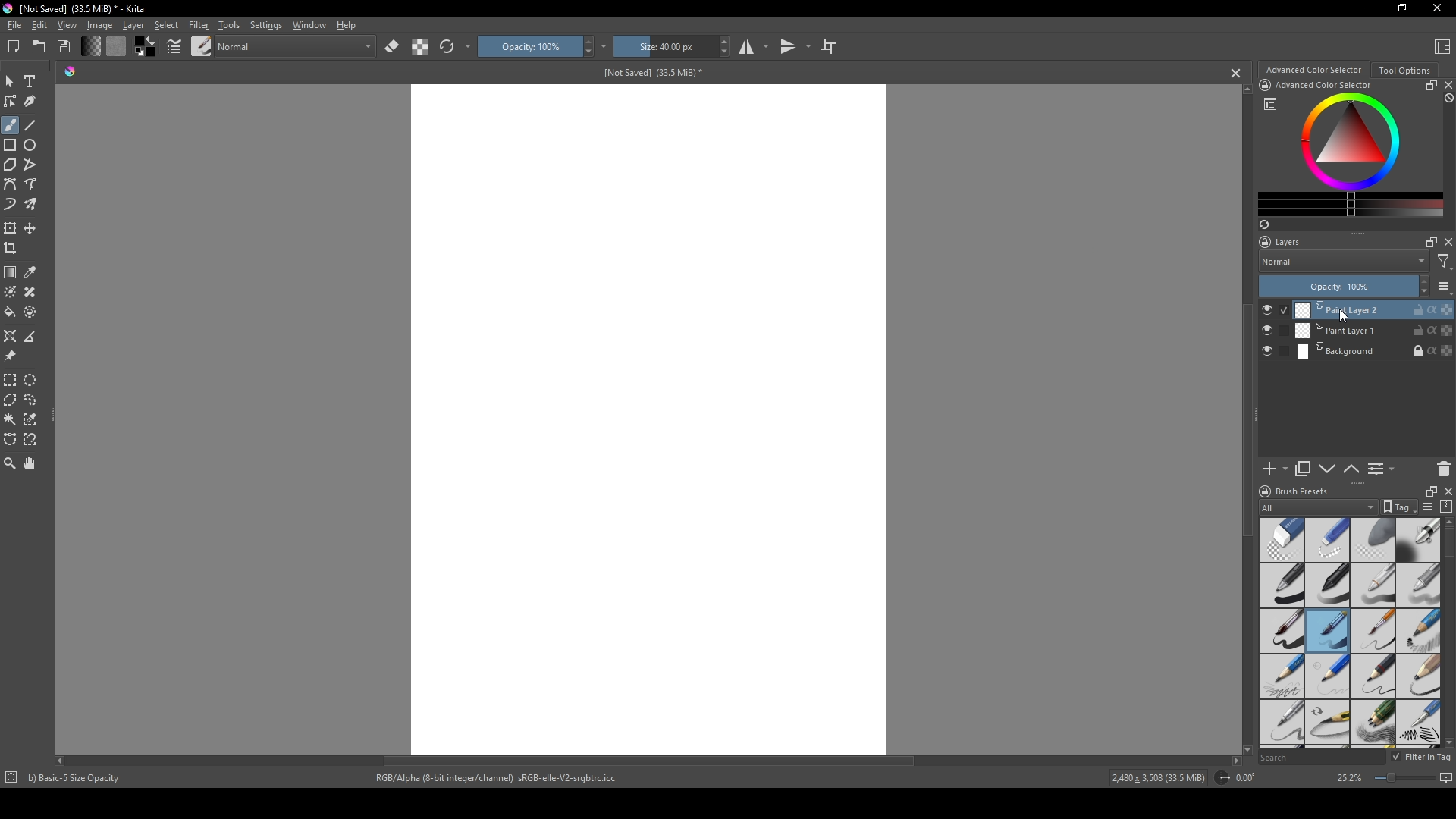 This screenshot has height=819, width=1456. Describe the element at coordinates (1447, 242) in the screenshot. I see `close` at that location.